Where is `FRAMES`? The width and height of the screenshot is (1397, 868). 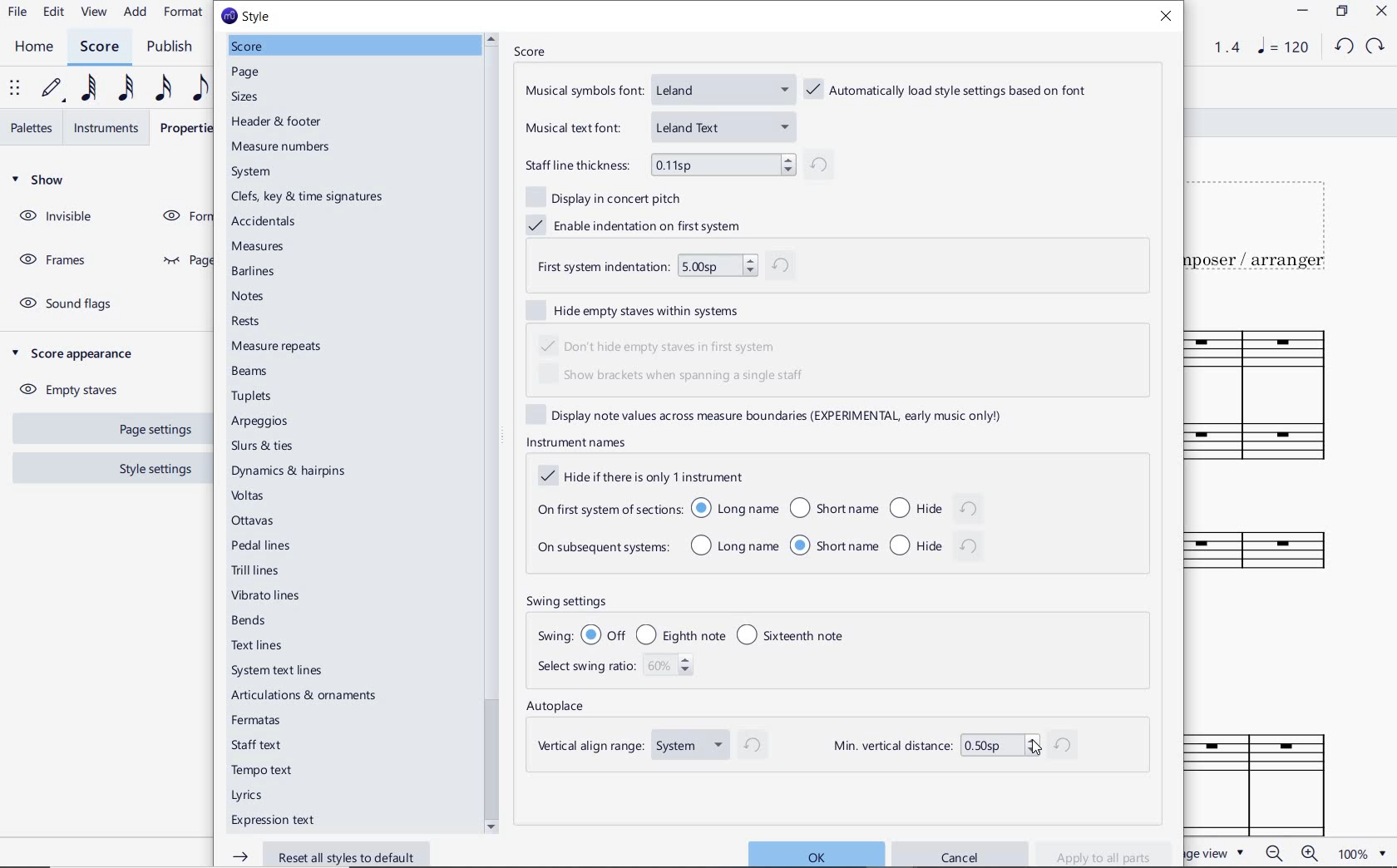 FRAMES is located at coordinates (52, 258).